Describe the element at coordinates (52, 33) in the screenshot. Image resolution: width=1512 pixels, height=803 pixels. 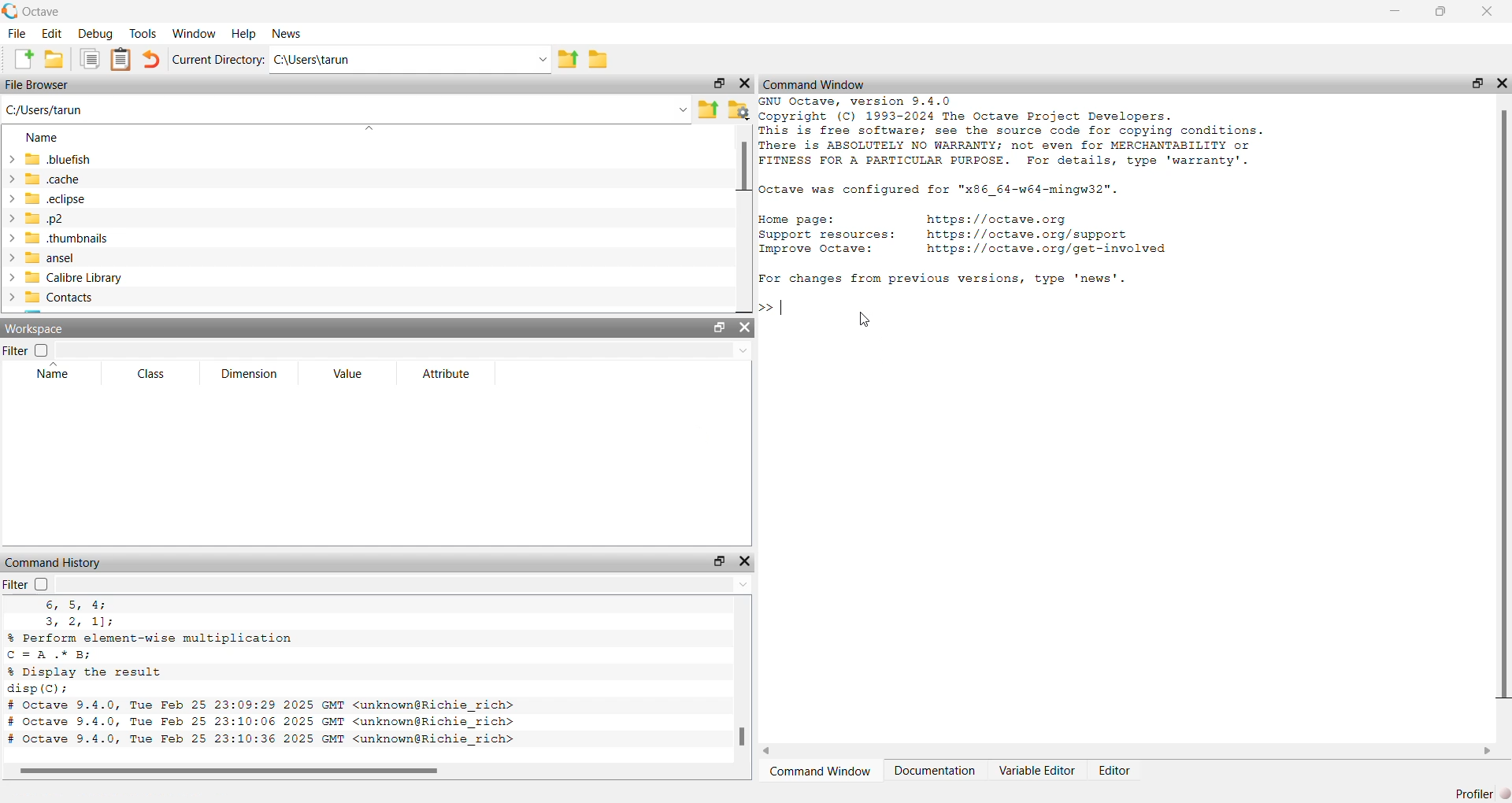
I see `Edit` at that location.